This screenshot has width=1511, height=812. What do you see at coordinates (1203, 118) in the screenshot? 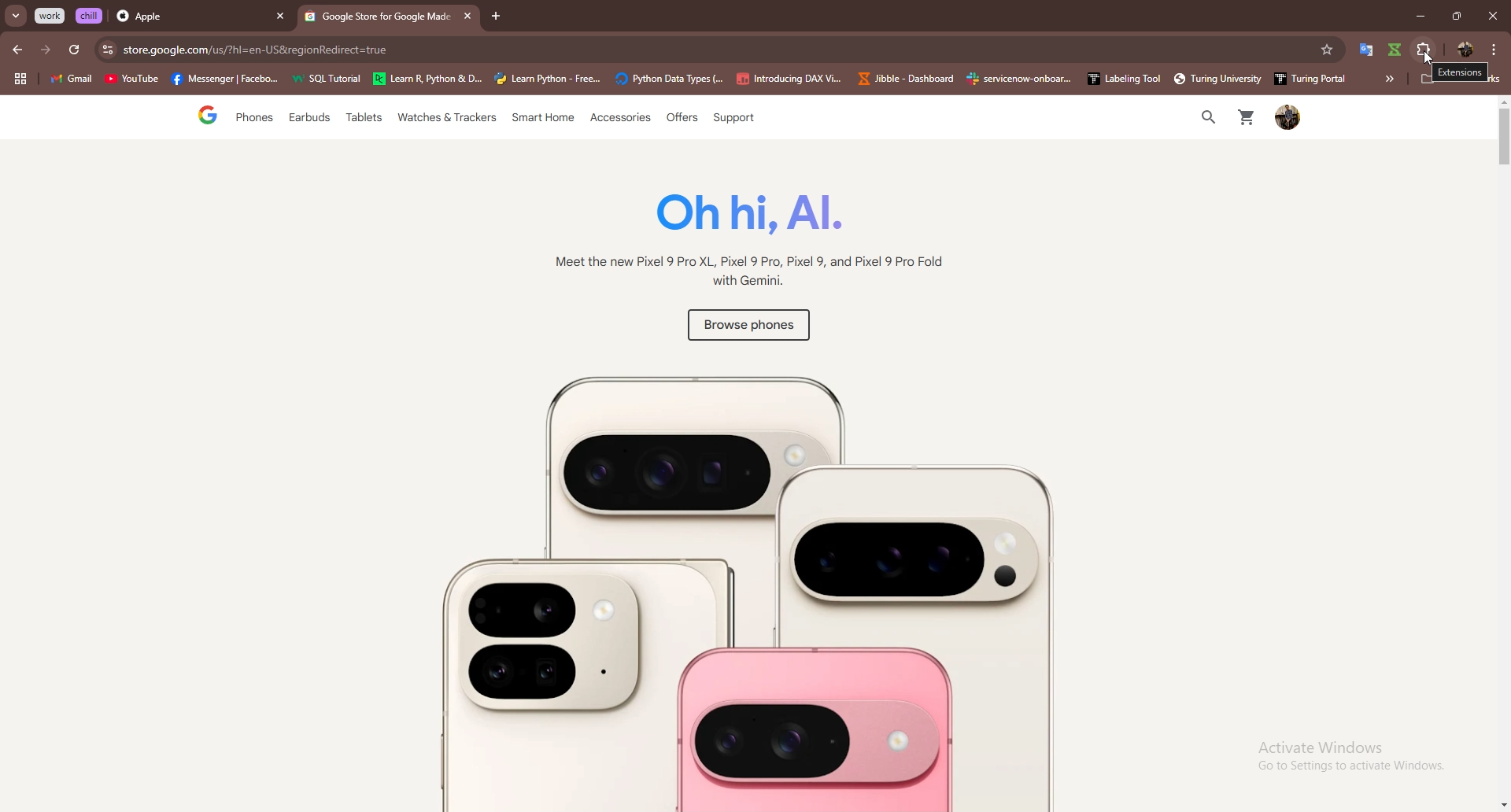
I see `search` at bounding box center [1203, 118].